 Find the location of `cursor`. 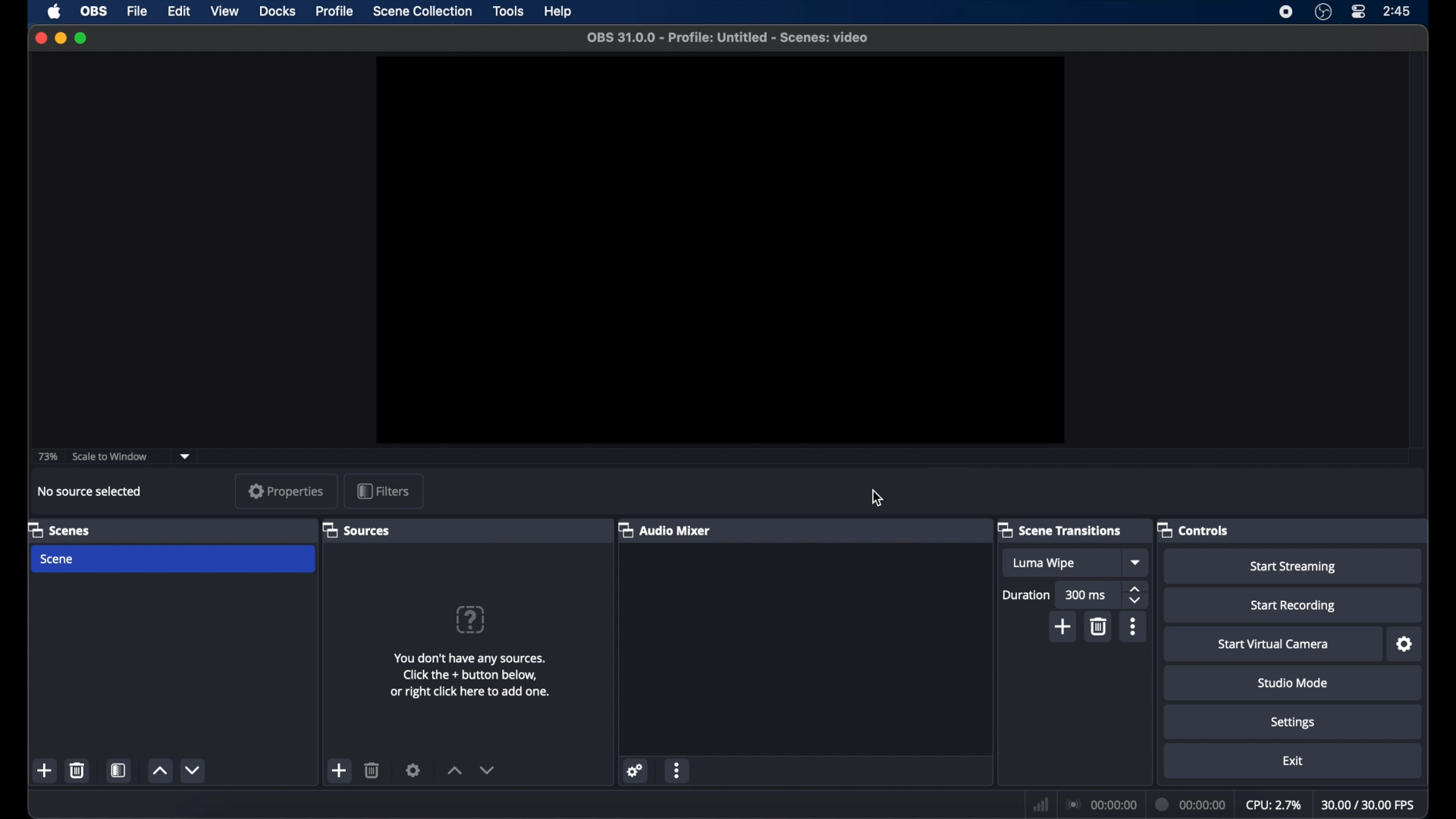

cursor is located at coordinates (878, 497).